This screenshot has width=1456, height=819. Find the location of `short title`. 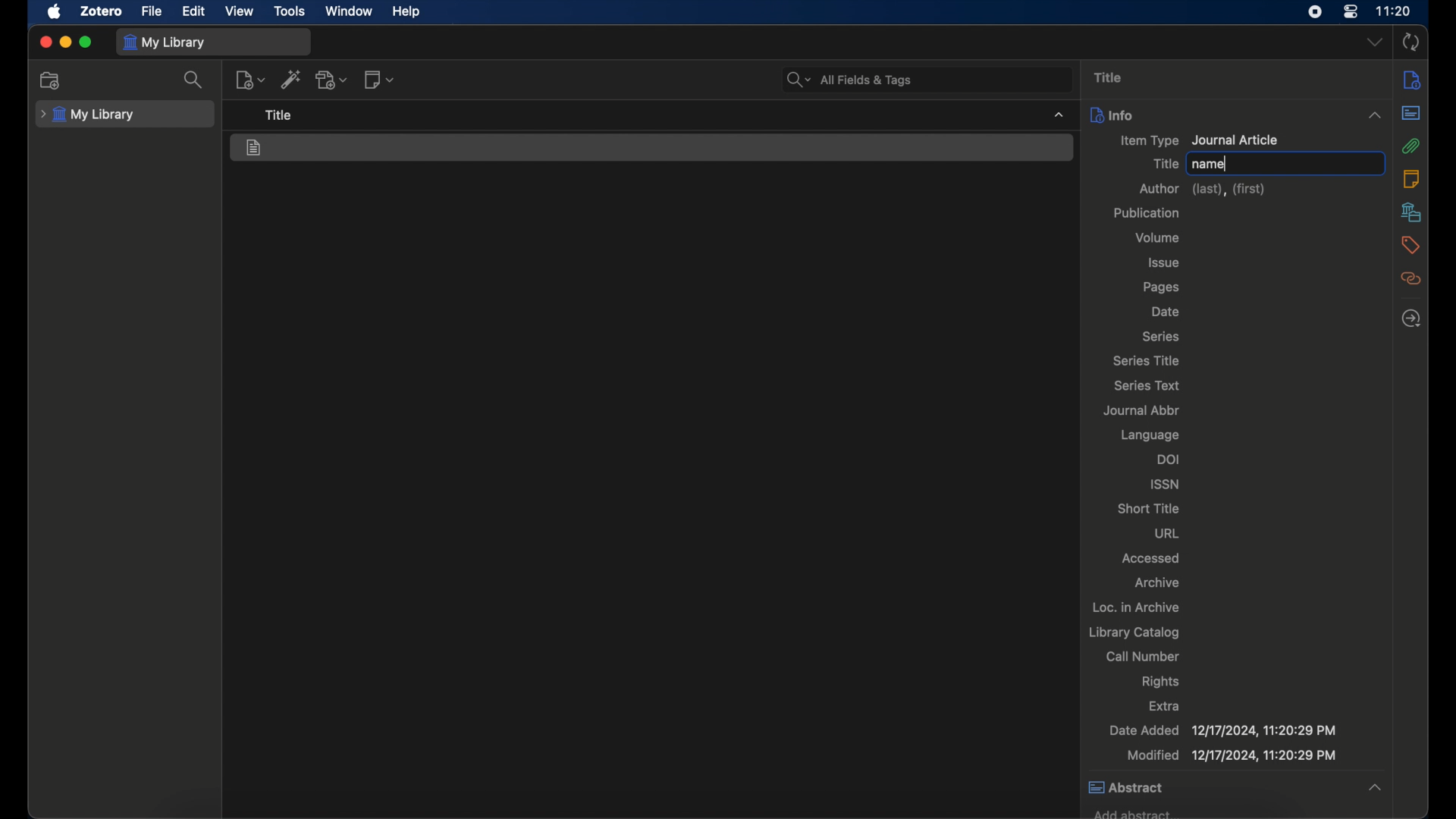

short title is located at coordinates (1148, 508).